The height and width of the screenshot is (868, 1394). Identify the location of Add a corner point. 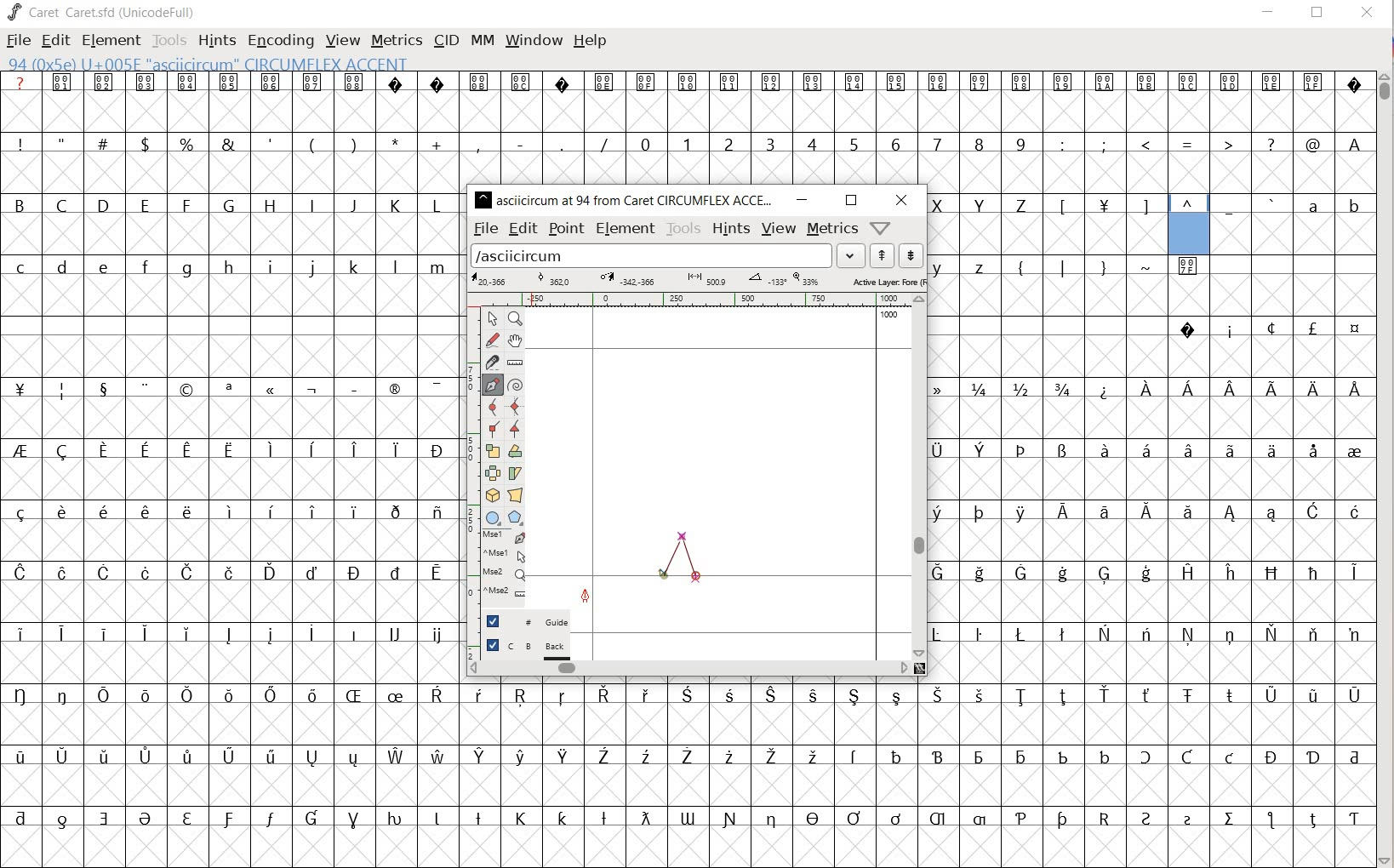
(491, 428).